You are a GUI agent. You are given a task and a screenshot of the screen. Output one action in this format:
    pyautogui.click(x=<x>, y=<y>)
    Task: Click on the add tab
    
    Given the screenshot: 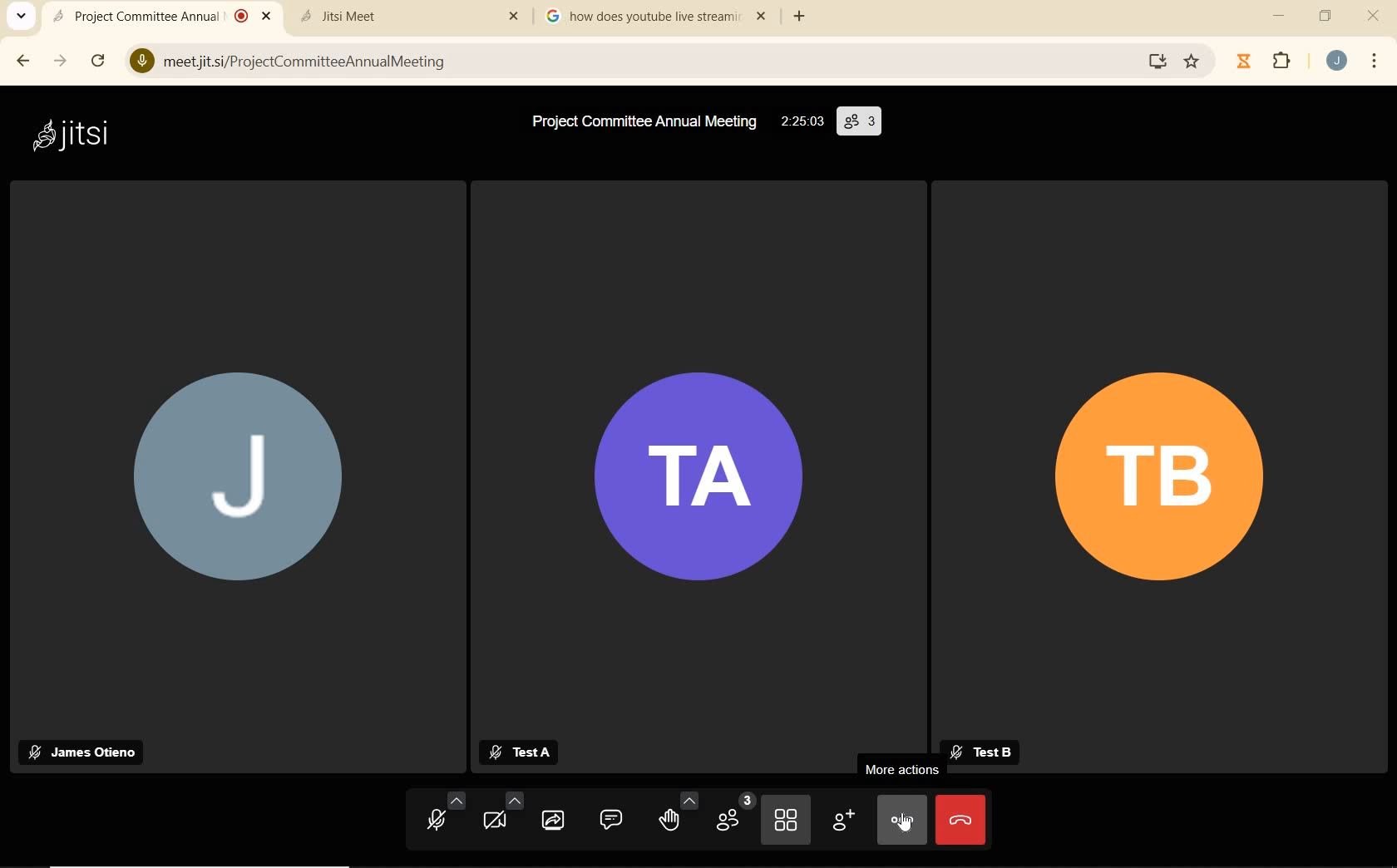 What is the action you would take?
    pyautogui.click(x=805, y=17)
    